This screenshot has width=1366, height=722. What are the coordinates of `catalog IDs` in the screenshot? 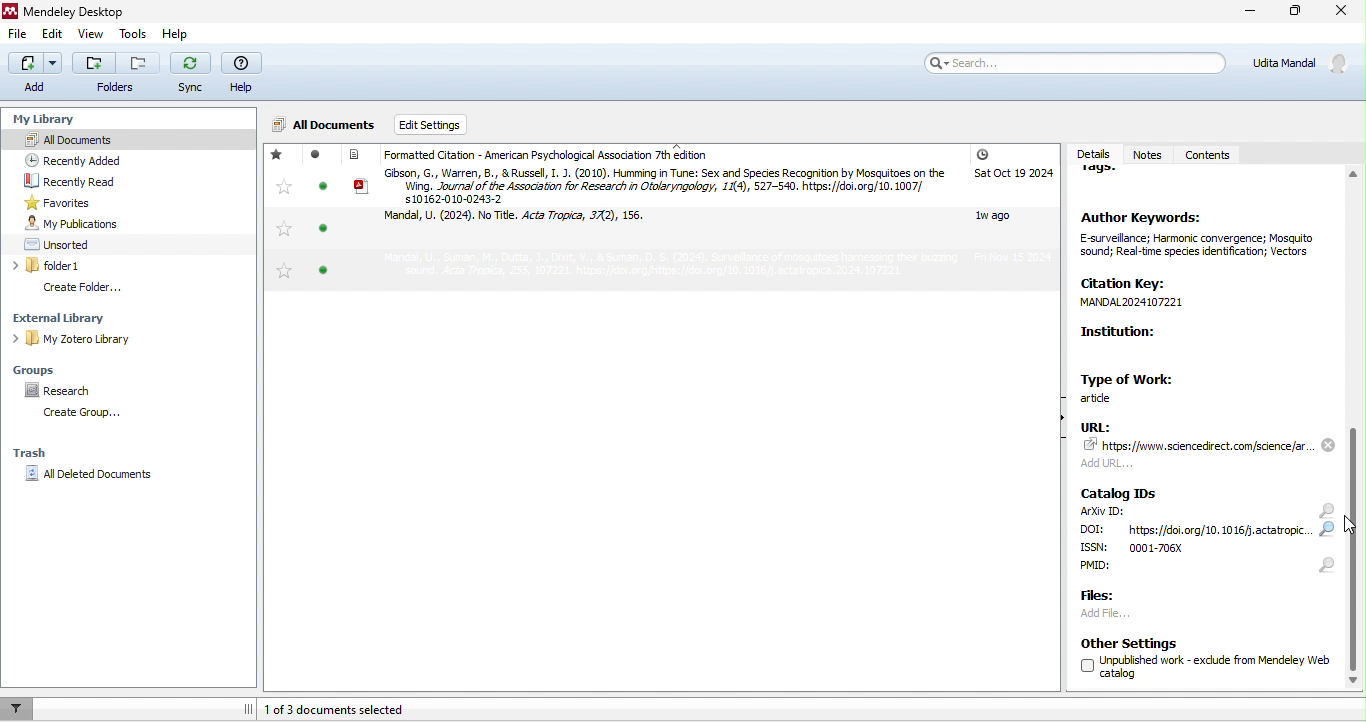 It's located at (1122, 492).